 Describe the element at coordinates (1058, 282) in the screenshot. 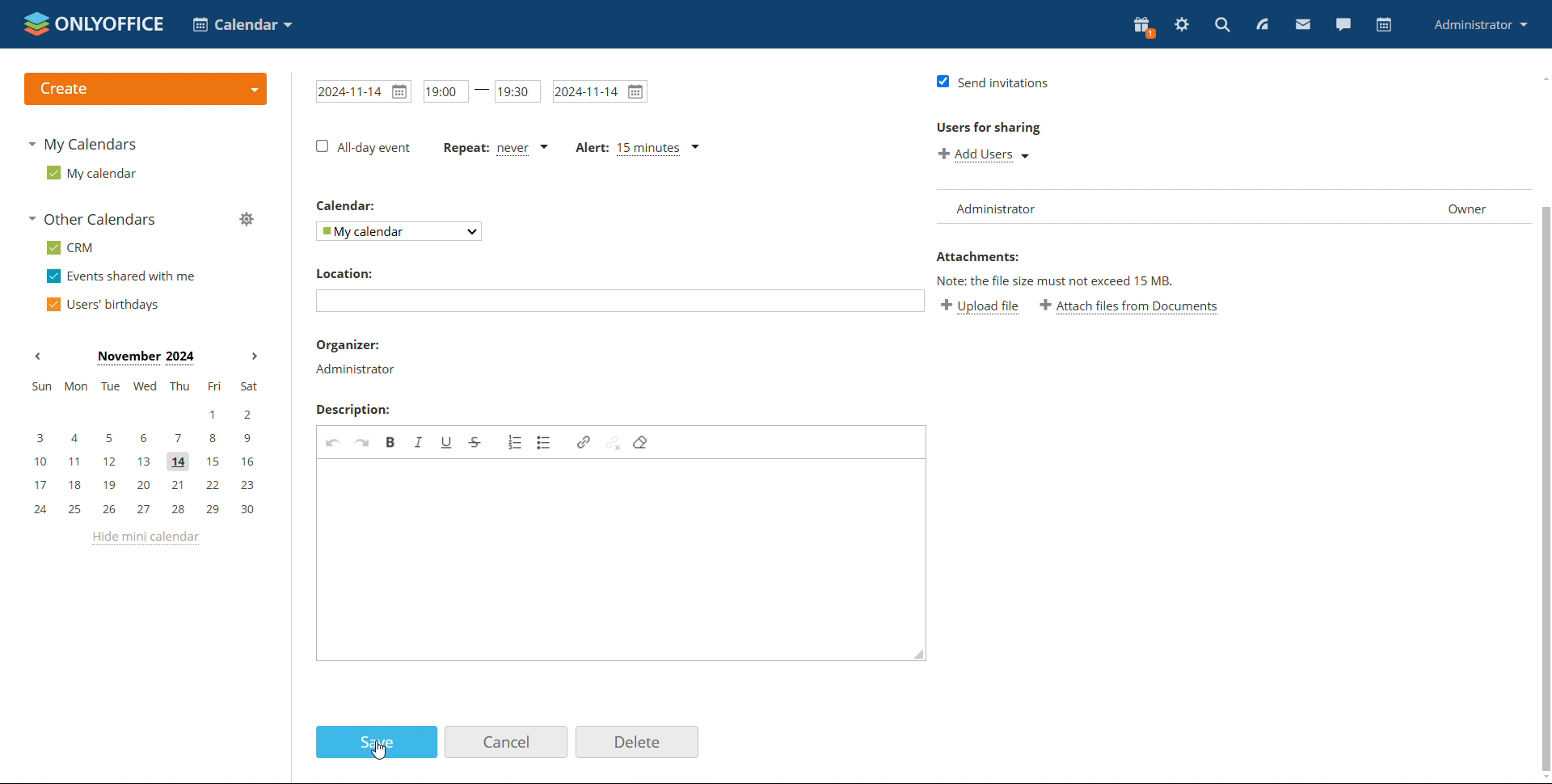

I see `text` at that location.